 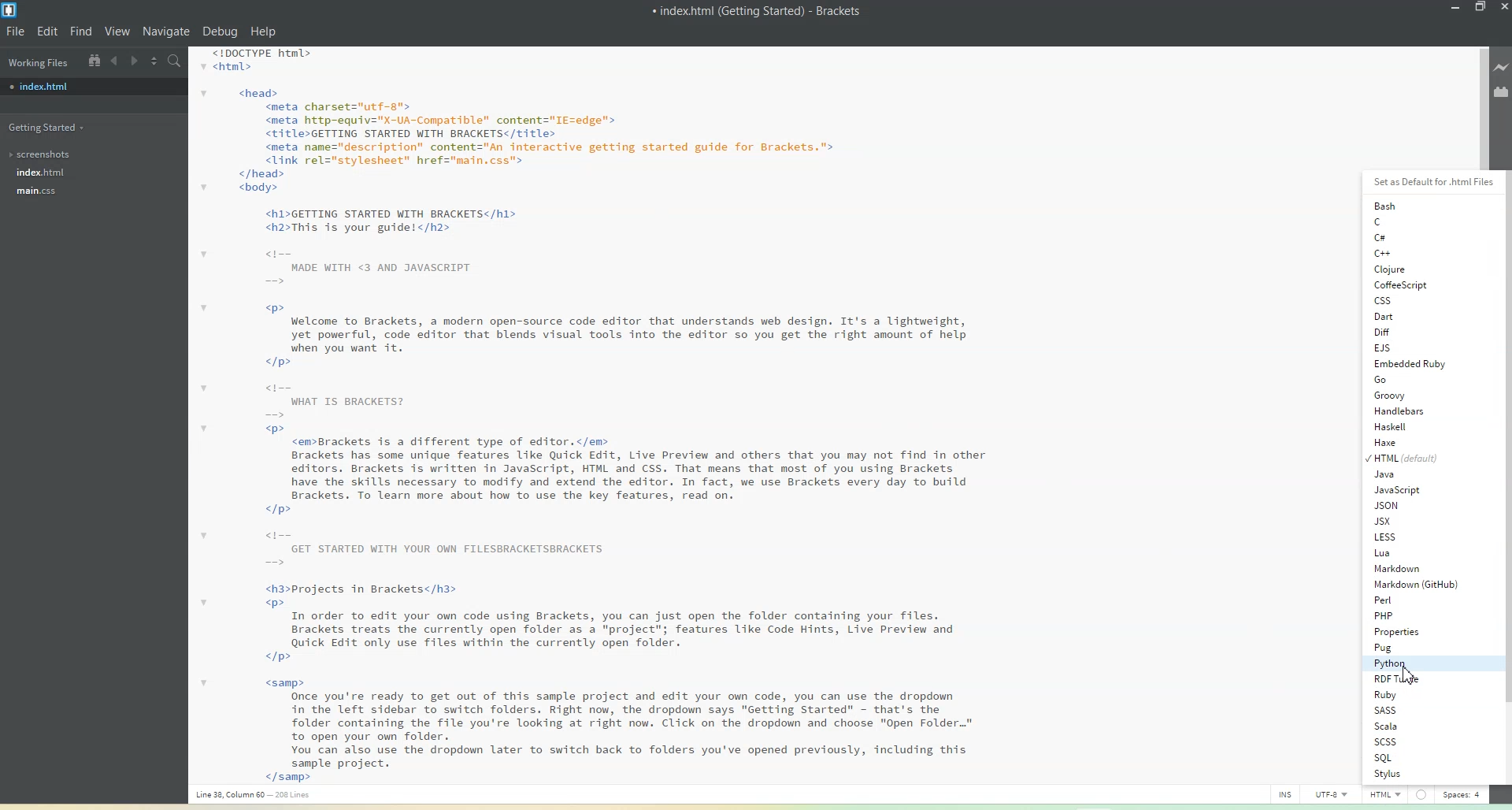 What do you see at coordinates (1502, 91) in the screenshot?
I see `Extensions manager` at bounding box center [1502, 91].